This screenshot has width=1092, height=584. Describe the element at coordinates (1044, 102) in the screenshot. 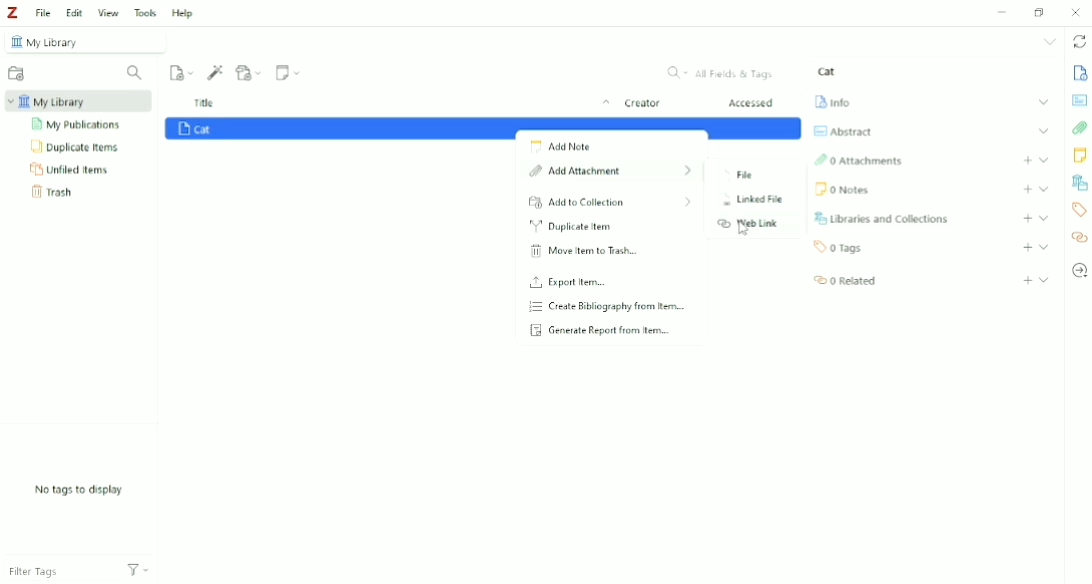

I see `Expand section` at that location.